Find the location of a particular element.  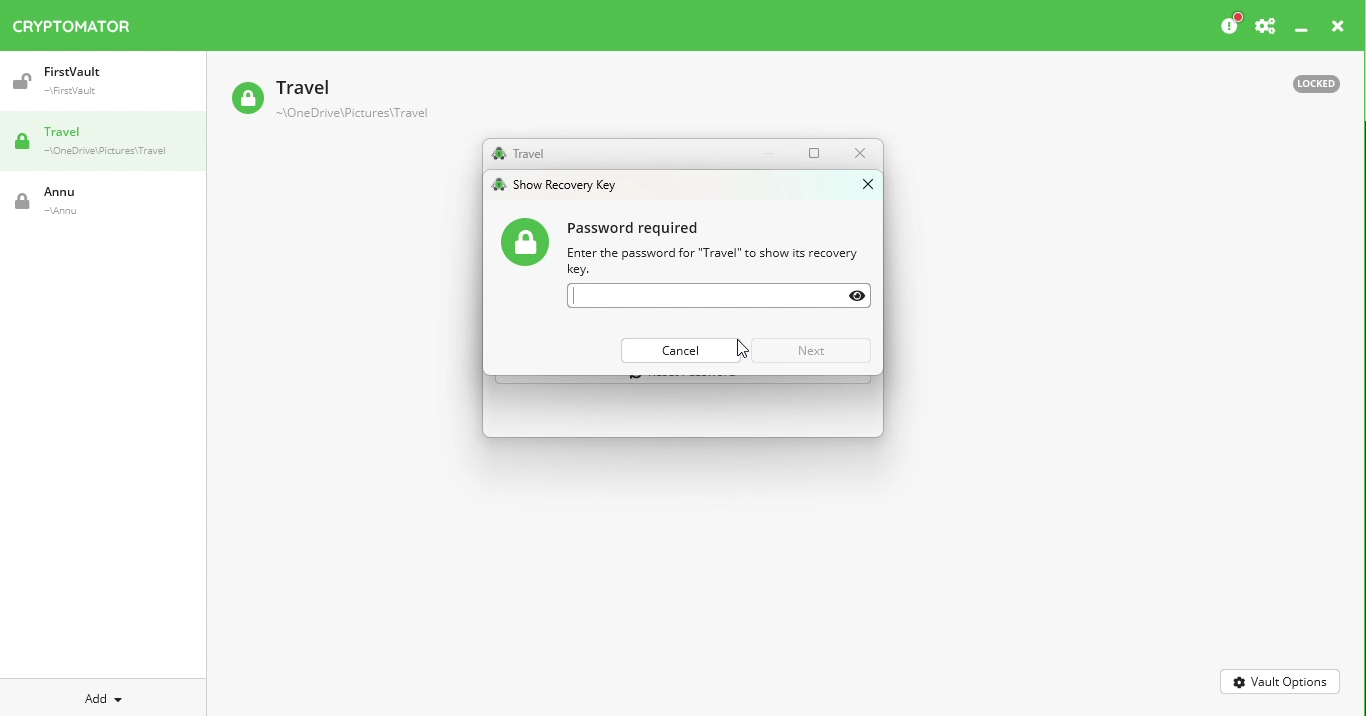

Maximize is located at coordinates (818, 152).